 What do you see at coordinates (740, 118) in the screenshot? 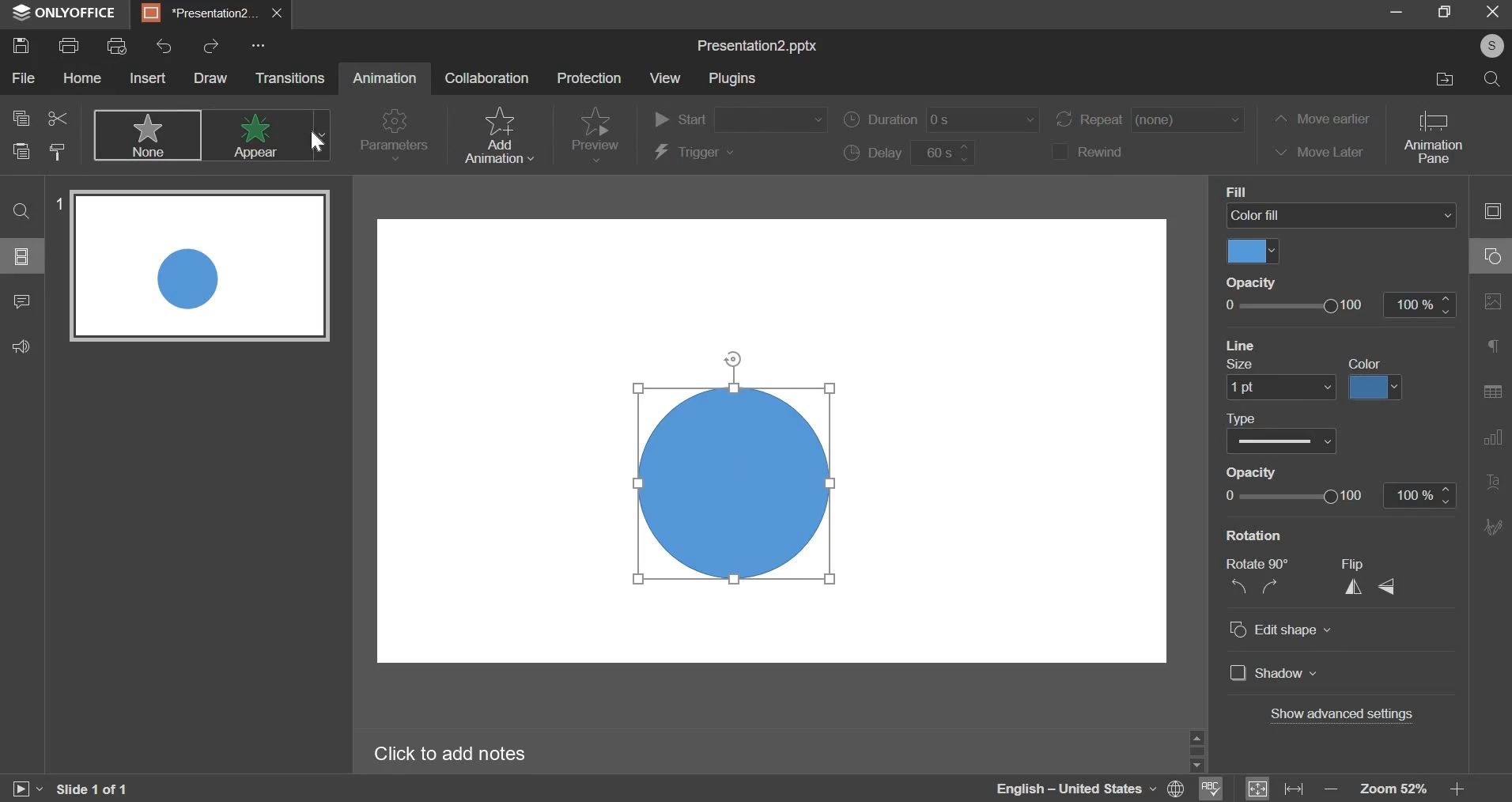
I see `start` at bounding box center [740, 118].